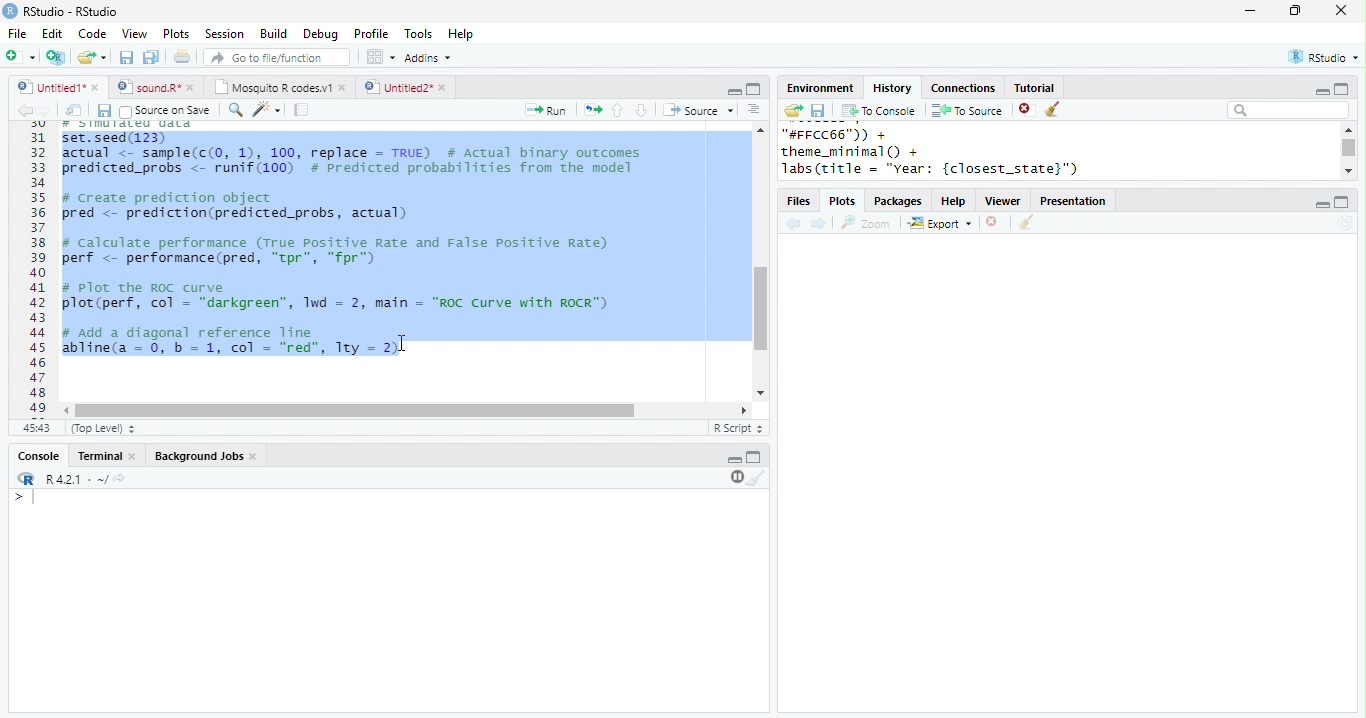 Image resolution: width=1366 pixels, height=718 pixels. I want to click on code tools, so click(267, 109).